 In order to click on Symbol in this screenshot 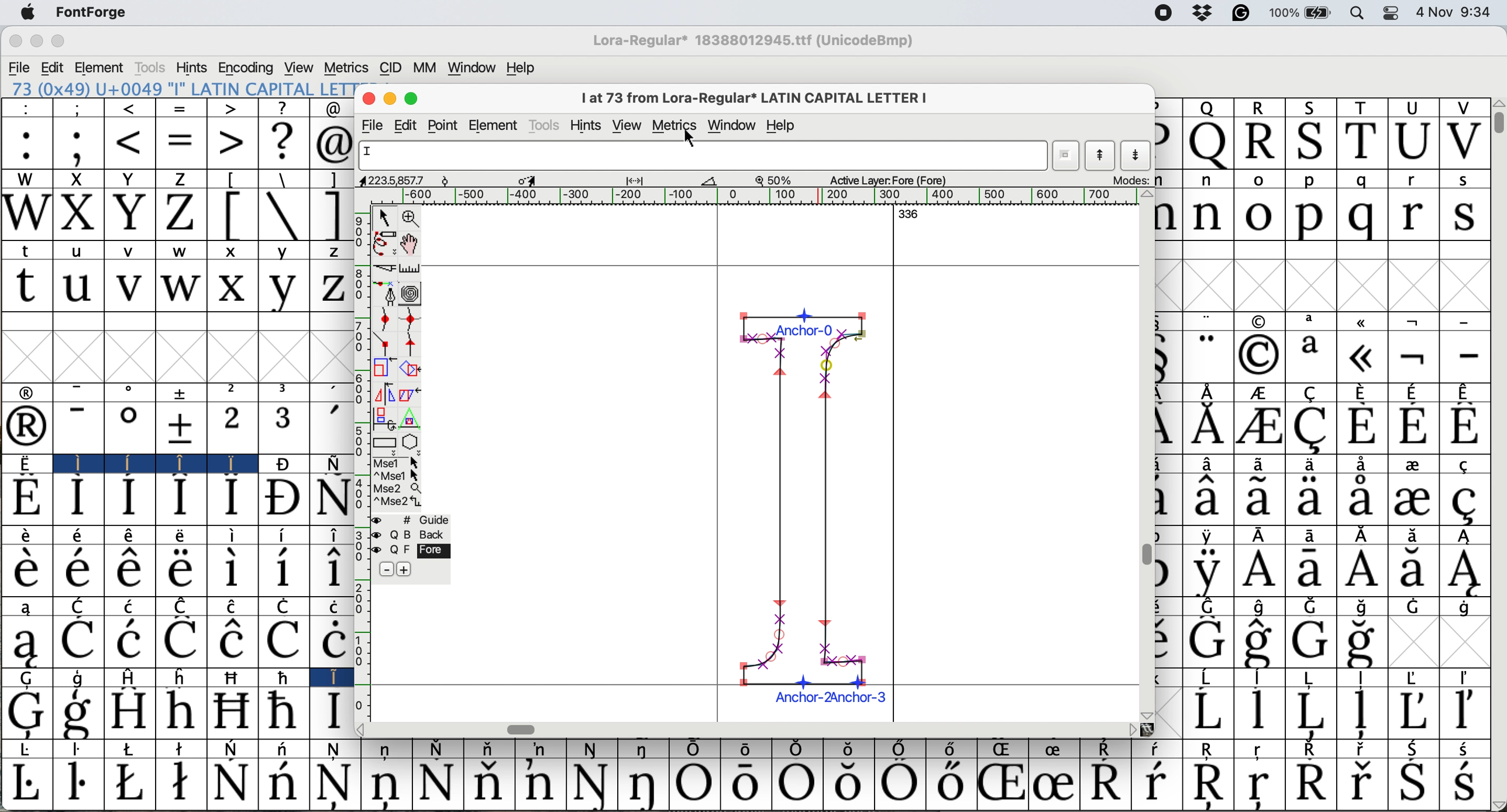, I will do `click(1465, 426)`.